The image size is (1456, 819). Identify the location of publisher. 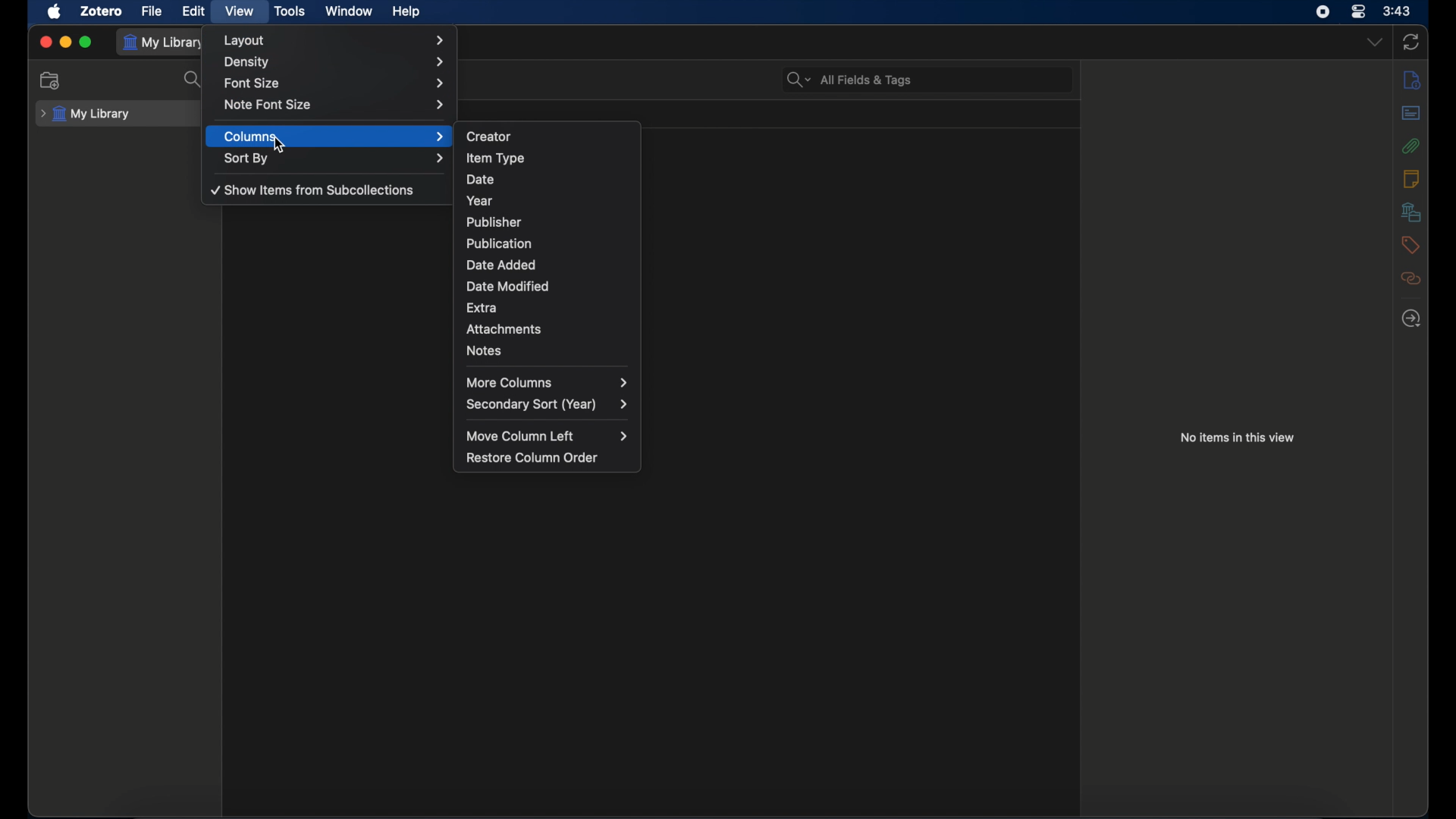
(548, 220).